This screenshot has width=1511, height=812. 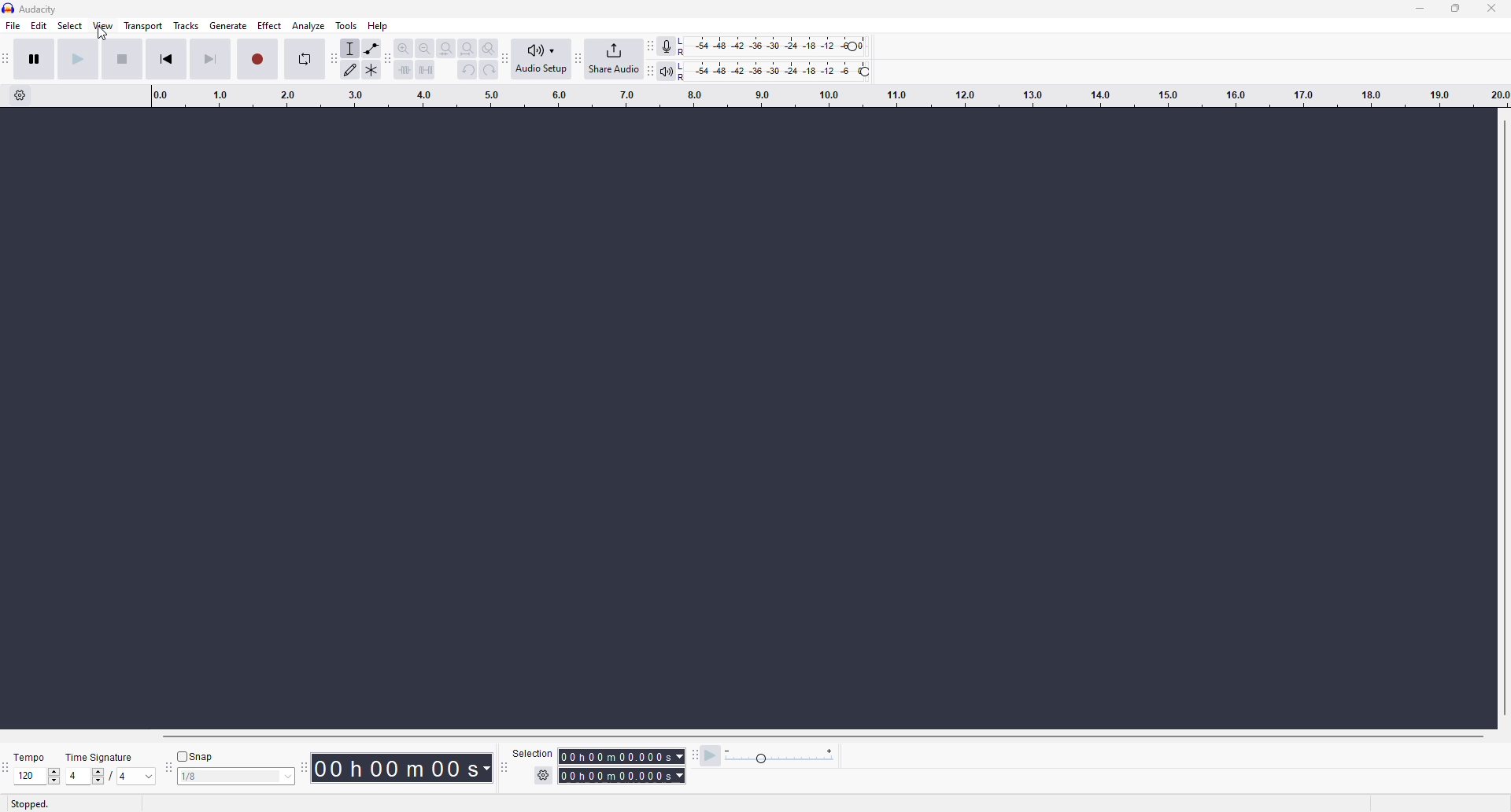 What do you see at coordinates (379, 26) in the screenshot?
I see `help` at bounding box center [379, 26].